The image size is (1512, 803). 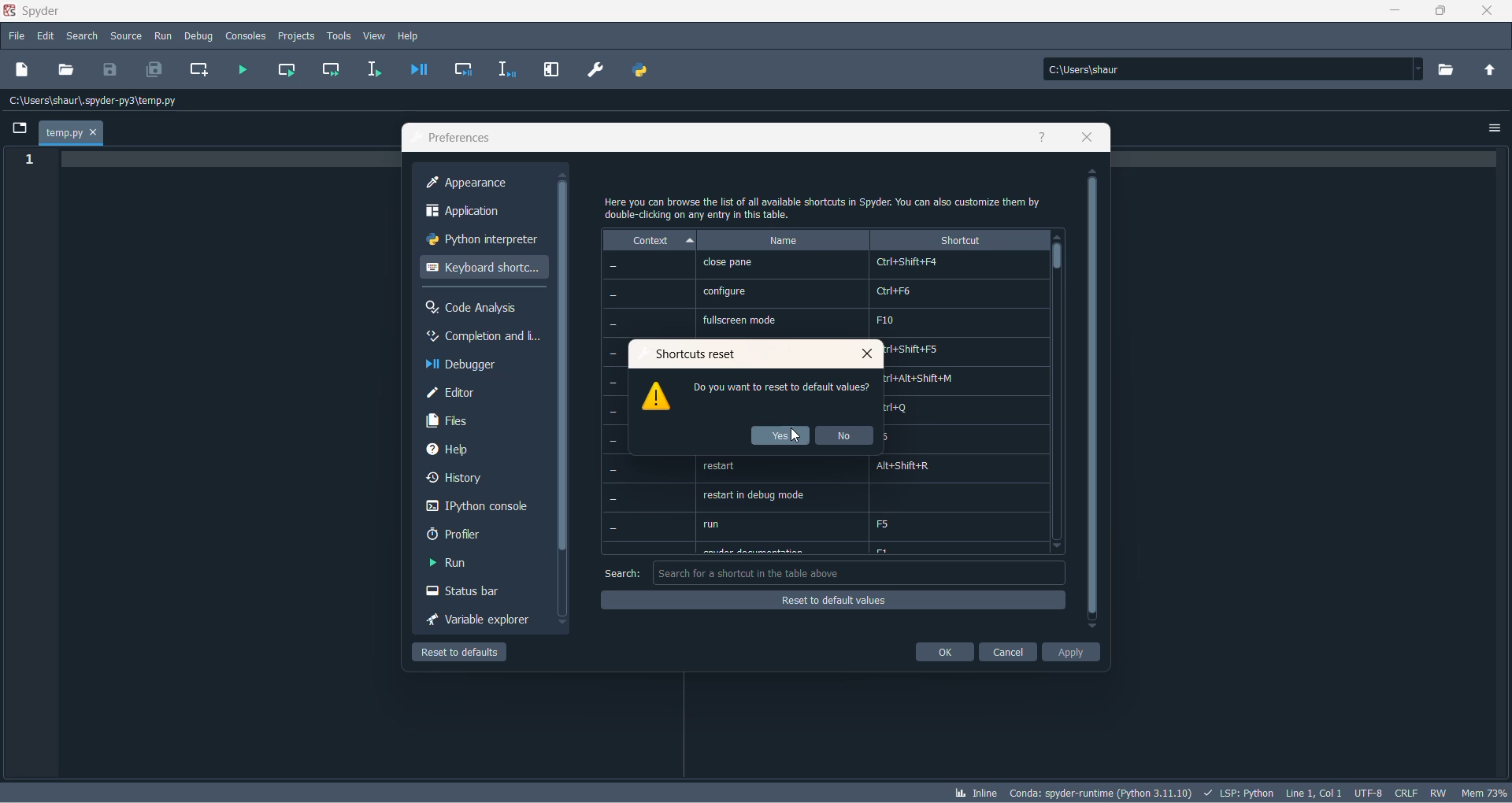 I want to click on move up, so click(x=1059, y=237).